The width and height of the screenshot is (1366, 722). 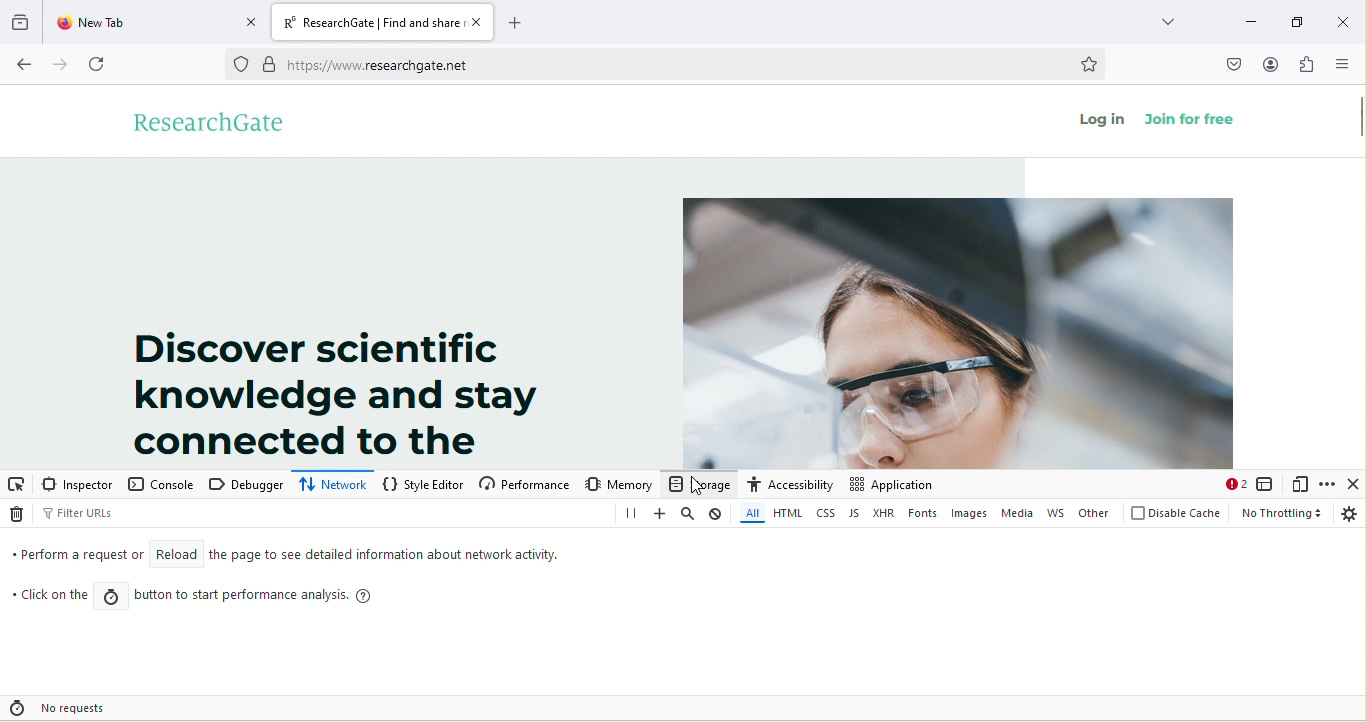 What do you see at coordinates (1053, 513) in the screenshot?
I see `ws` at bounding box center [1053, 513].